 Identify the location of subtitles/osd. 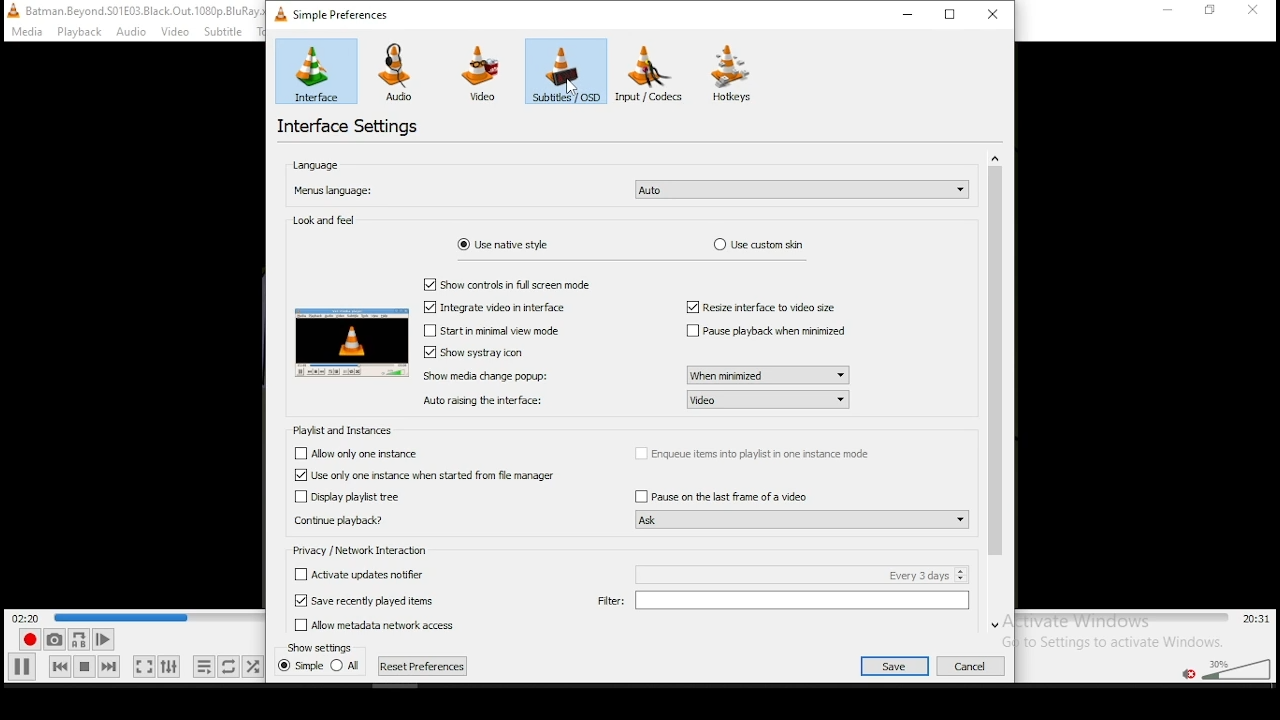
(566, 71).